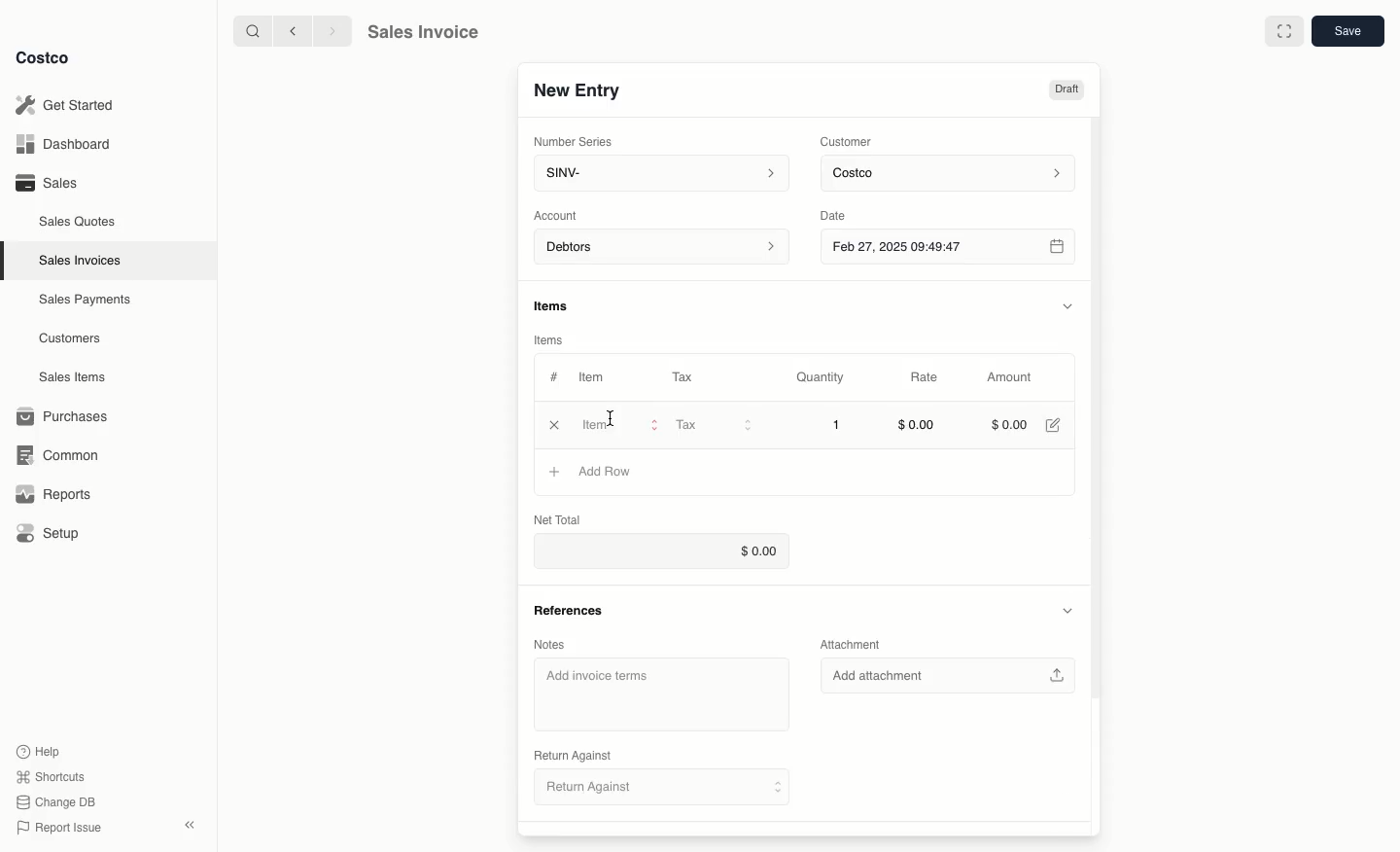 The width and height of the screenshot is (1400, 852). Describe the element at coordinates (45, 182) in the screenshot. I see `Sales` at that location.